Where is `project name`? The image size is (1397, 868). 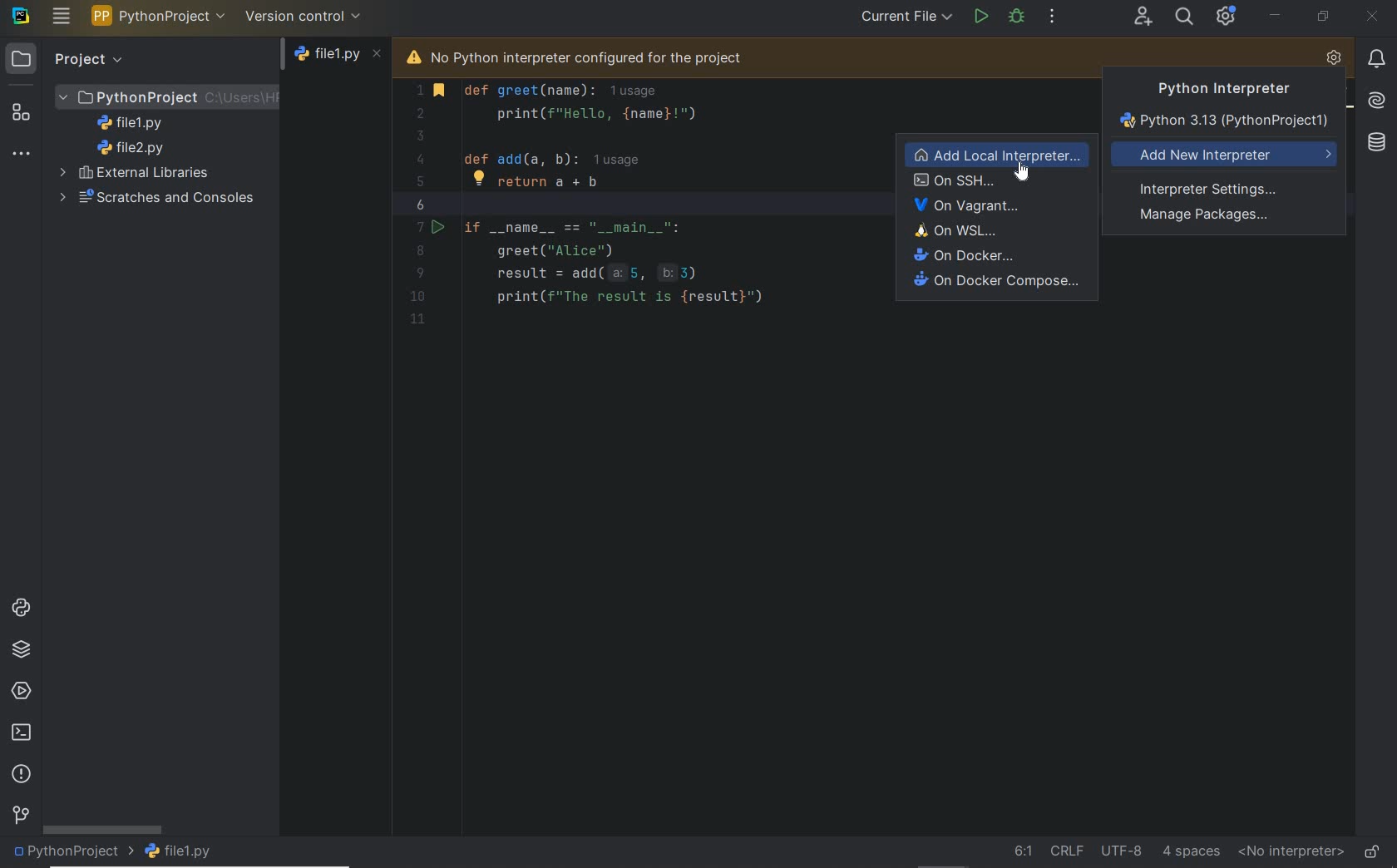 project name is located at coordinates (159, 16).